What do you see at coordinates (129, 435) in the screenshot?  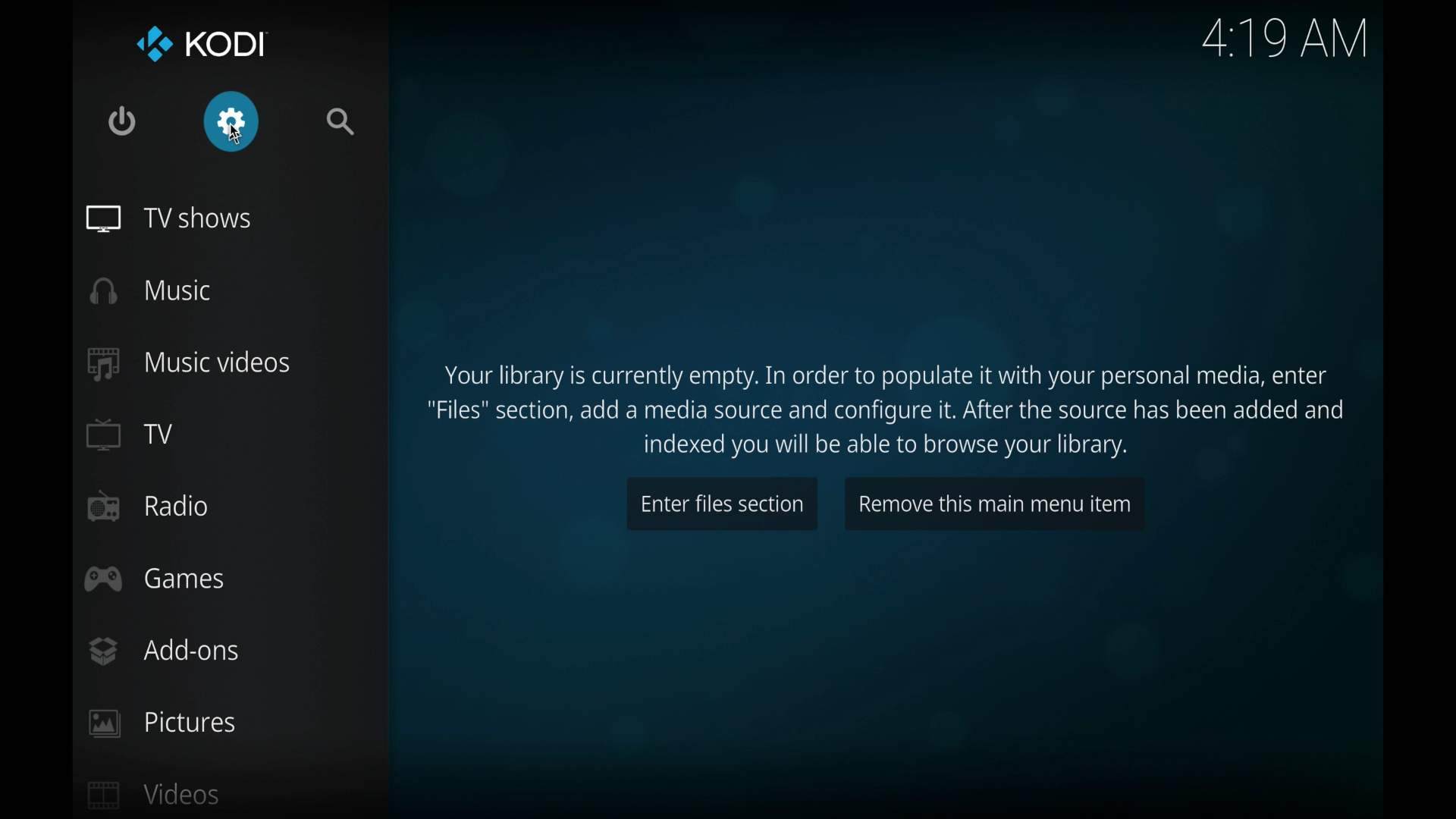 I see `tv` at bounding box center [129, 435].